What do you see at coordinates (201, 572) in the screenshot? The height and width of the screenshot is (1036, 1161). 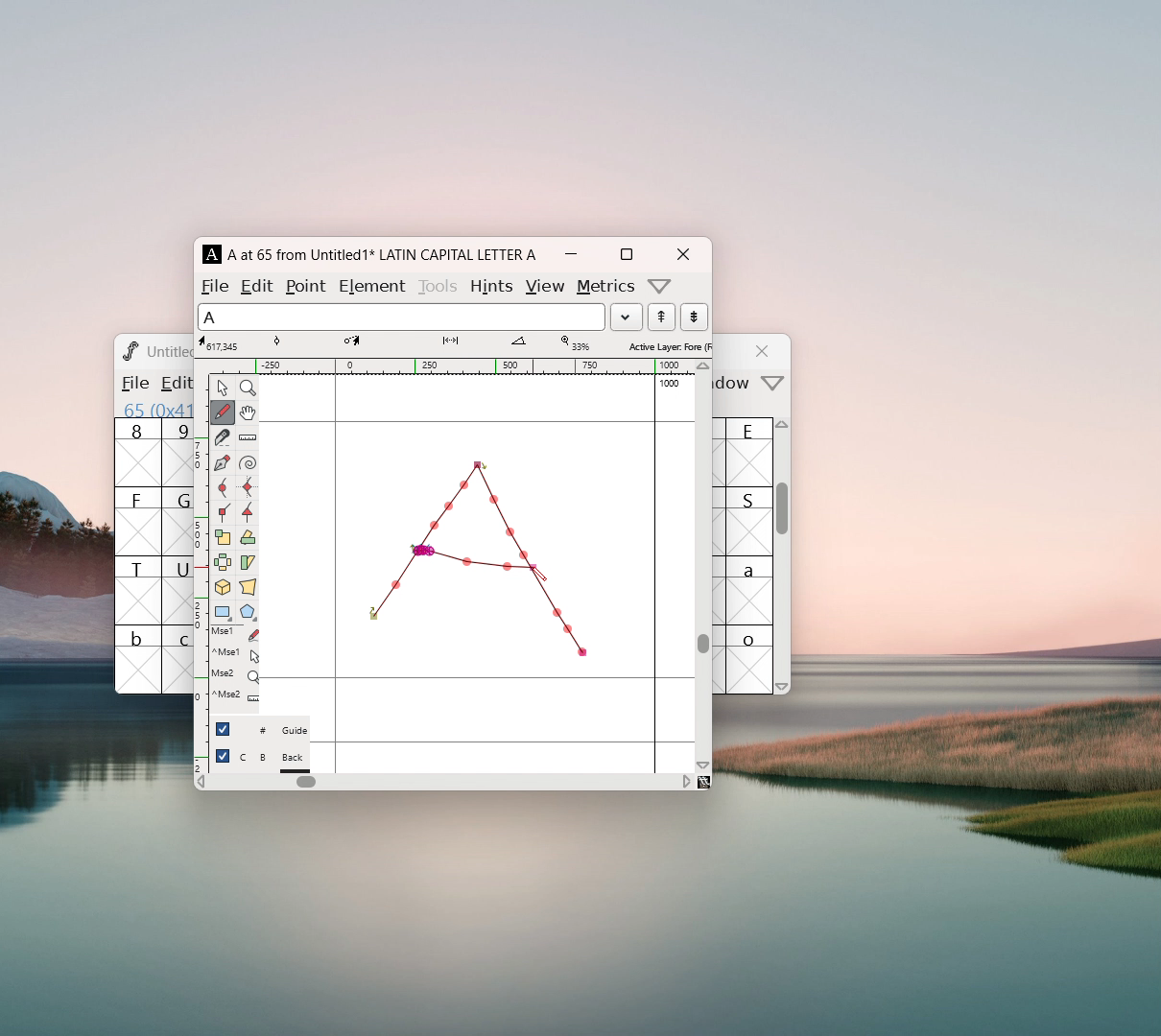 I see `vertical ruler` at bounding box center [201, 572].